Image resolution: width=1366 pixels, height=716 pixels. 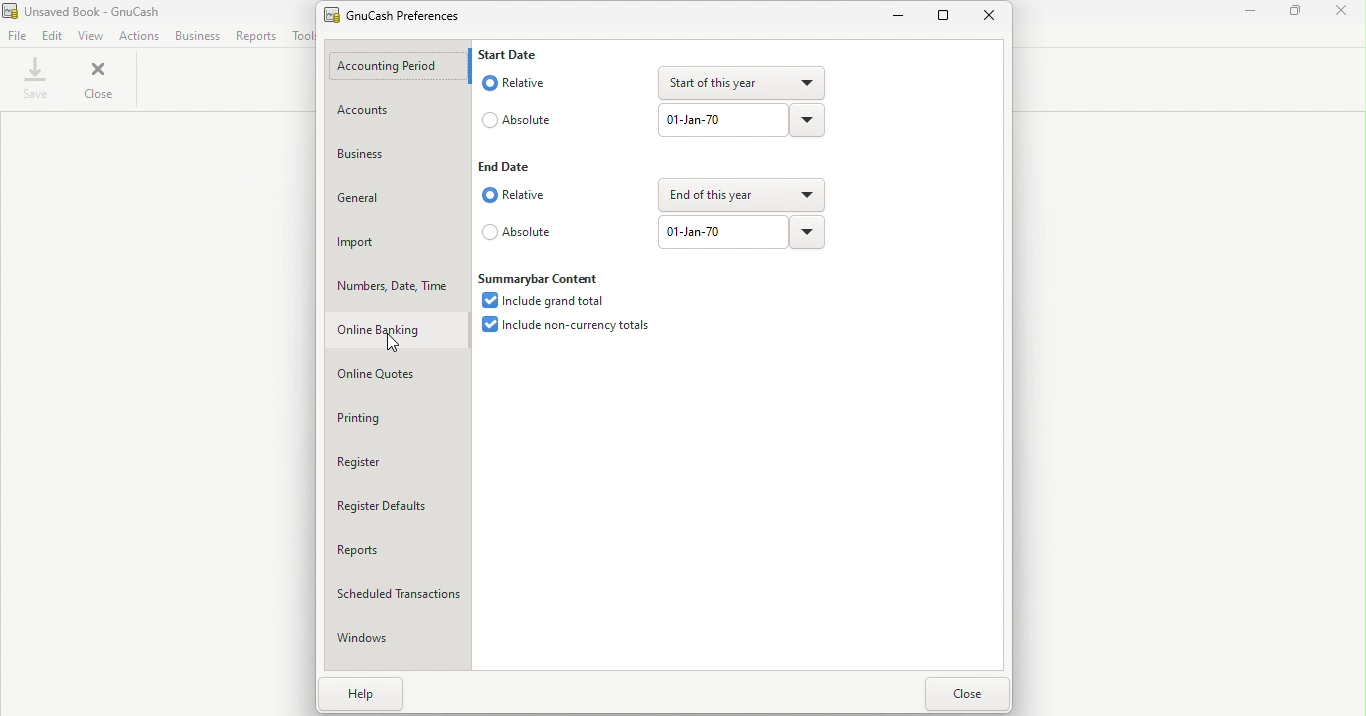 I want to click on GnuCash preferences, so click(x=402, y=14).